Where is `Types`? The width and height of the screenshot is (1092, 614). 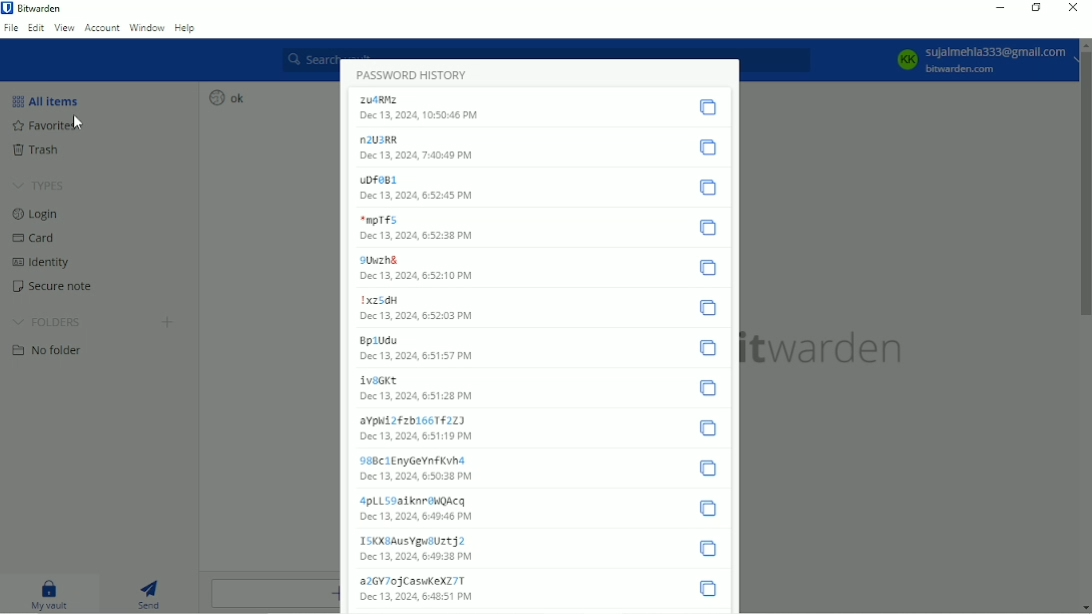 Types is located at coordinates (39, 183).